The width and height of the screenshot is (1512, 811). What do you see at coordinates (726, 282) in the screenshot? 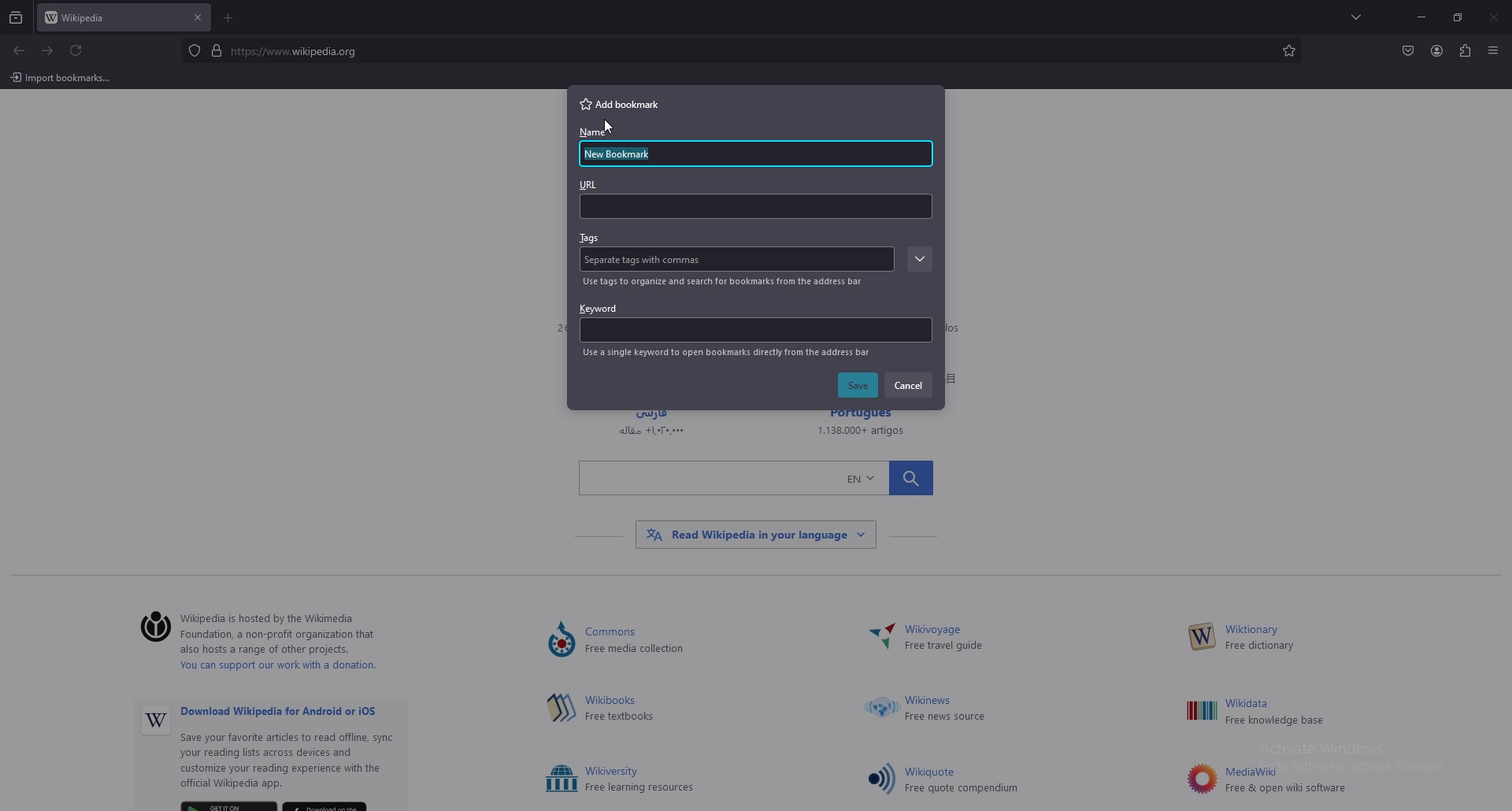
I see `info` at bounding box center [726, 282].